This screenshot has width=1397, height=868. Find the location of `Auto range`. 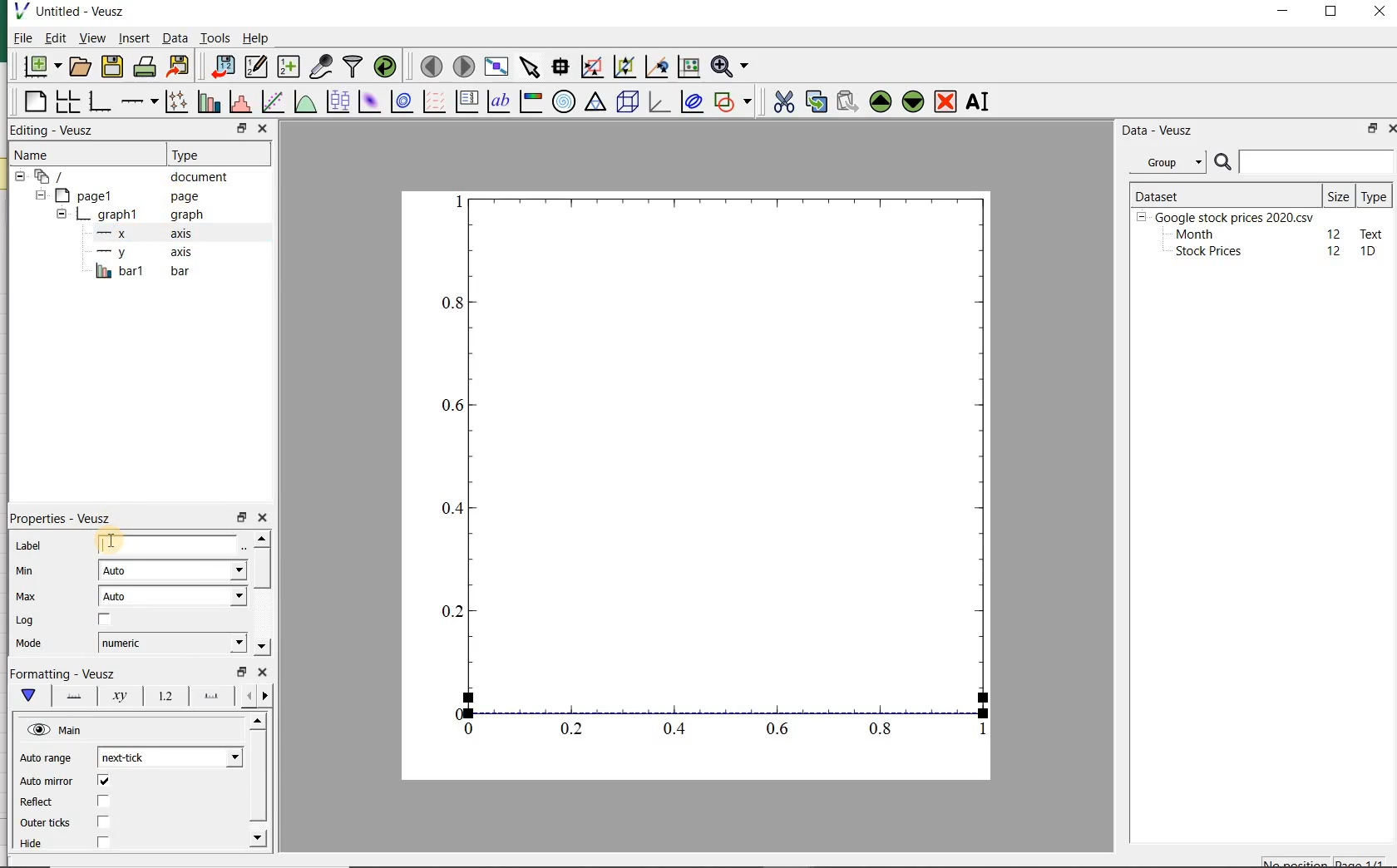

Auto range is located at coordinates (46, 759).